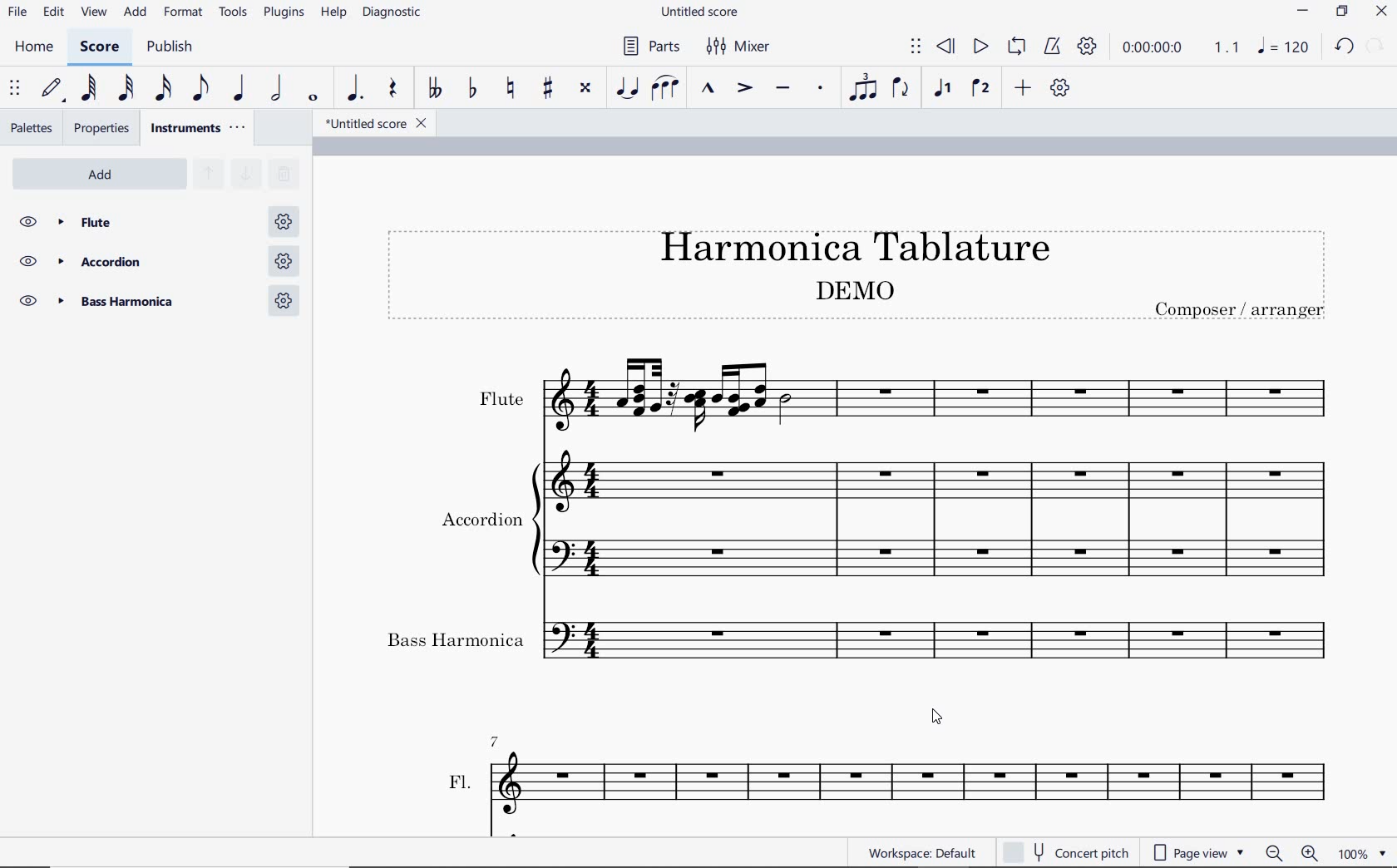  I want to click on whole note, so click(311, 98).